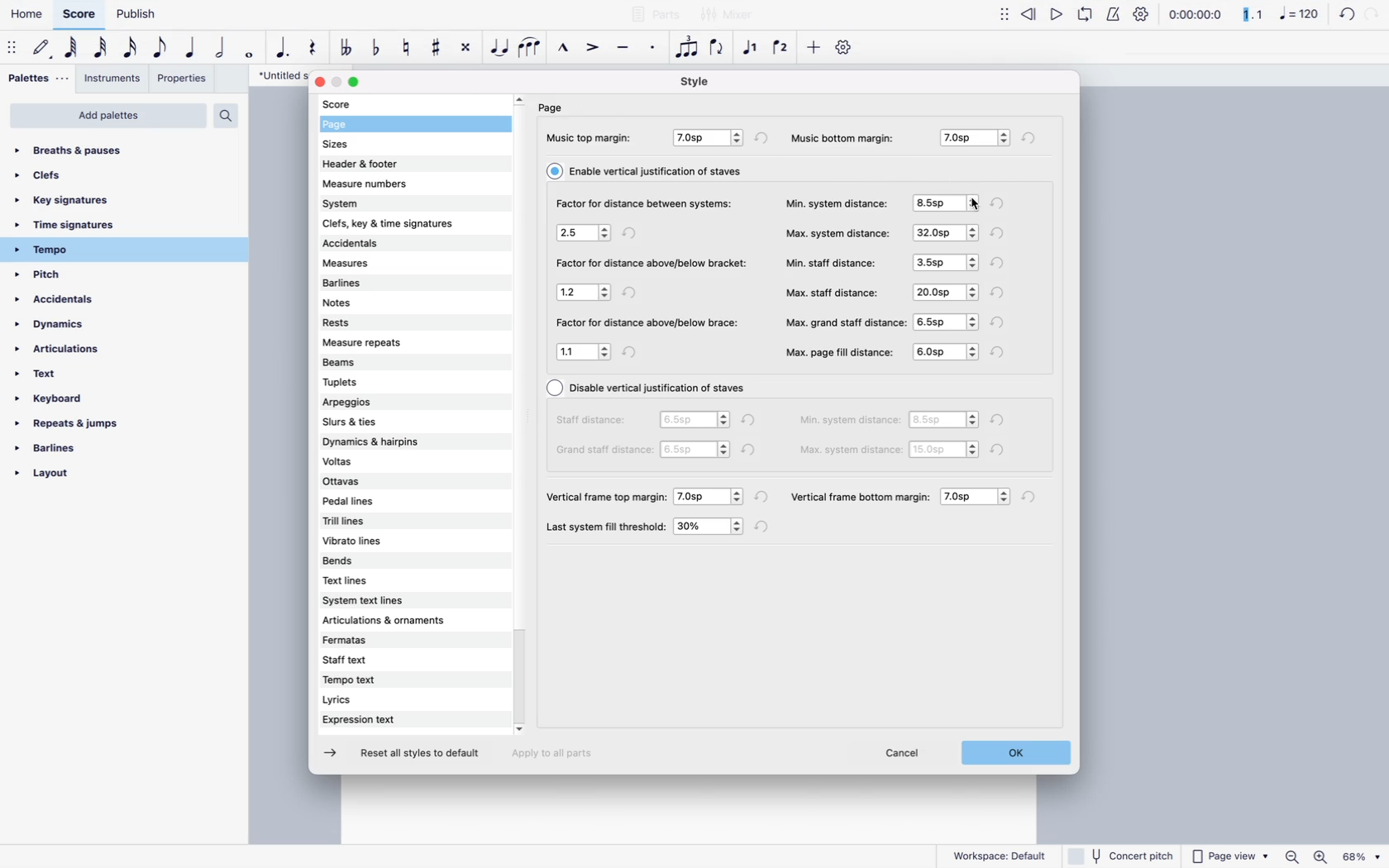  What do you see at coordinates (393, 621) in the screenshot?
I see `articulations & ornaments` at bounding box center [393, 621].